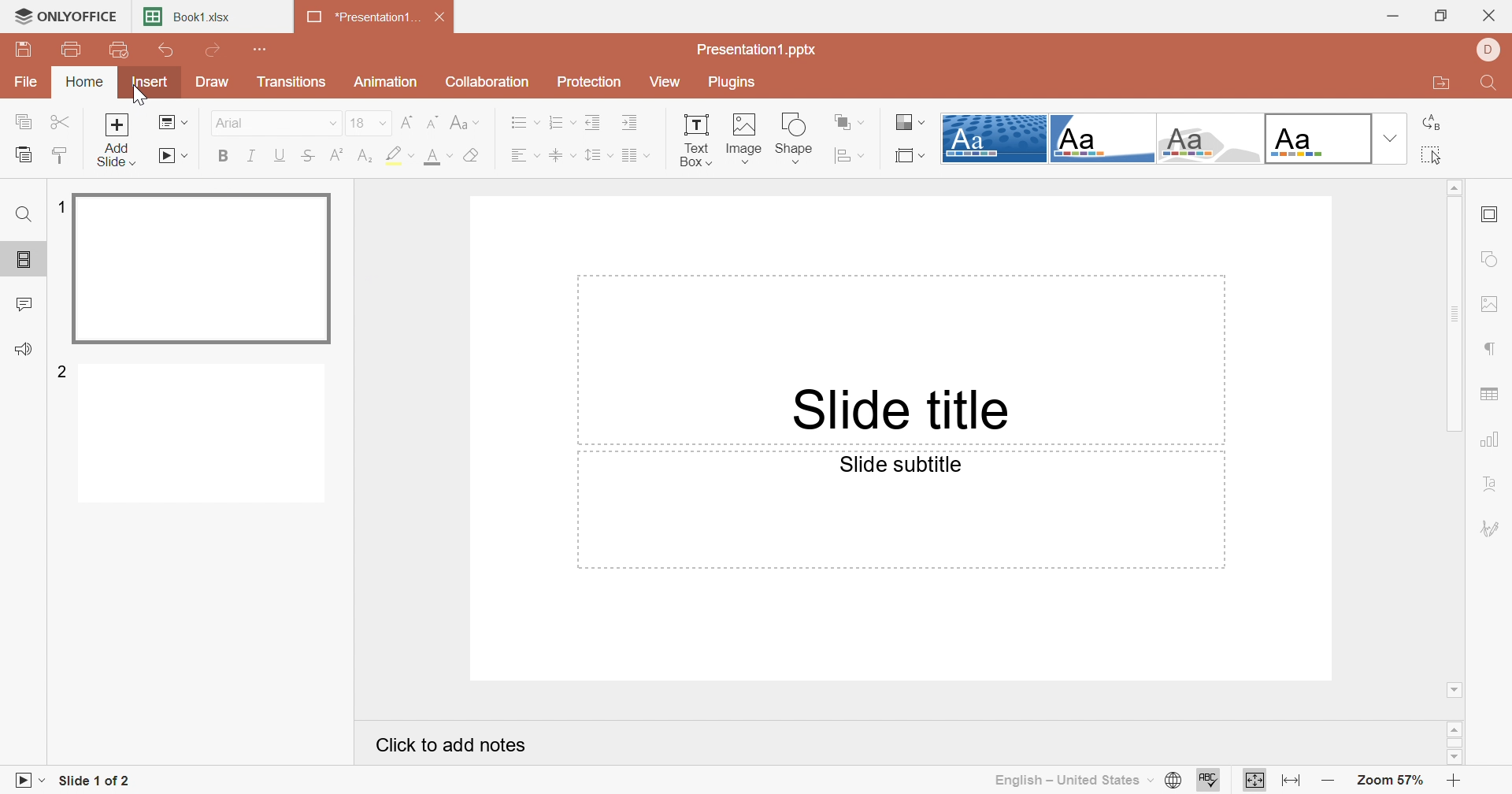  What do you see at coordinates (1493, 216) in the screenshot?
I see `Slide settings` at bounding box center [1493, 216].